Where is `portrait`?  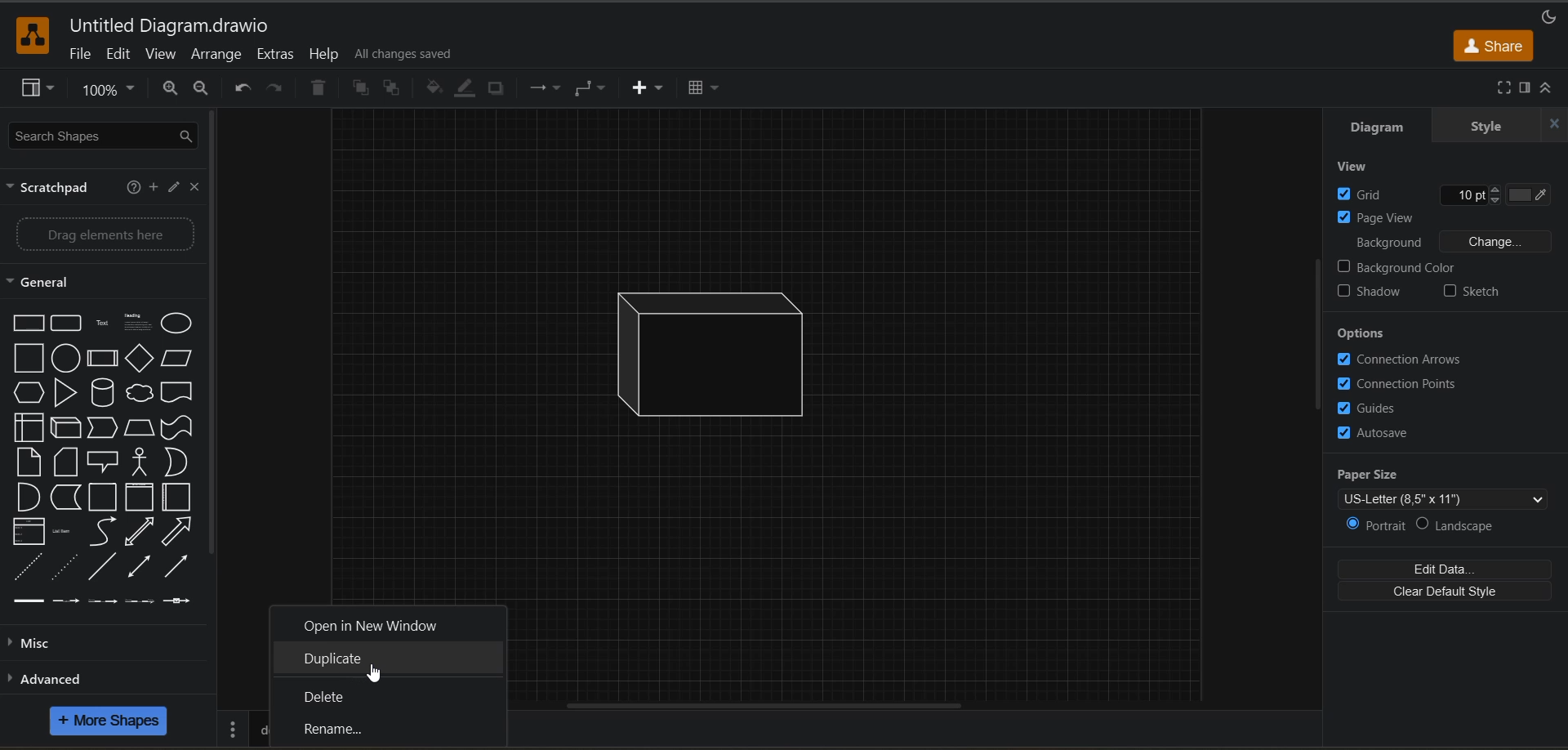
portrait is located at coordinates (1379, 527).